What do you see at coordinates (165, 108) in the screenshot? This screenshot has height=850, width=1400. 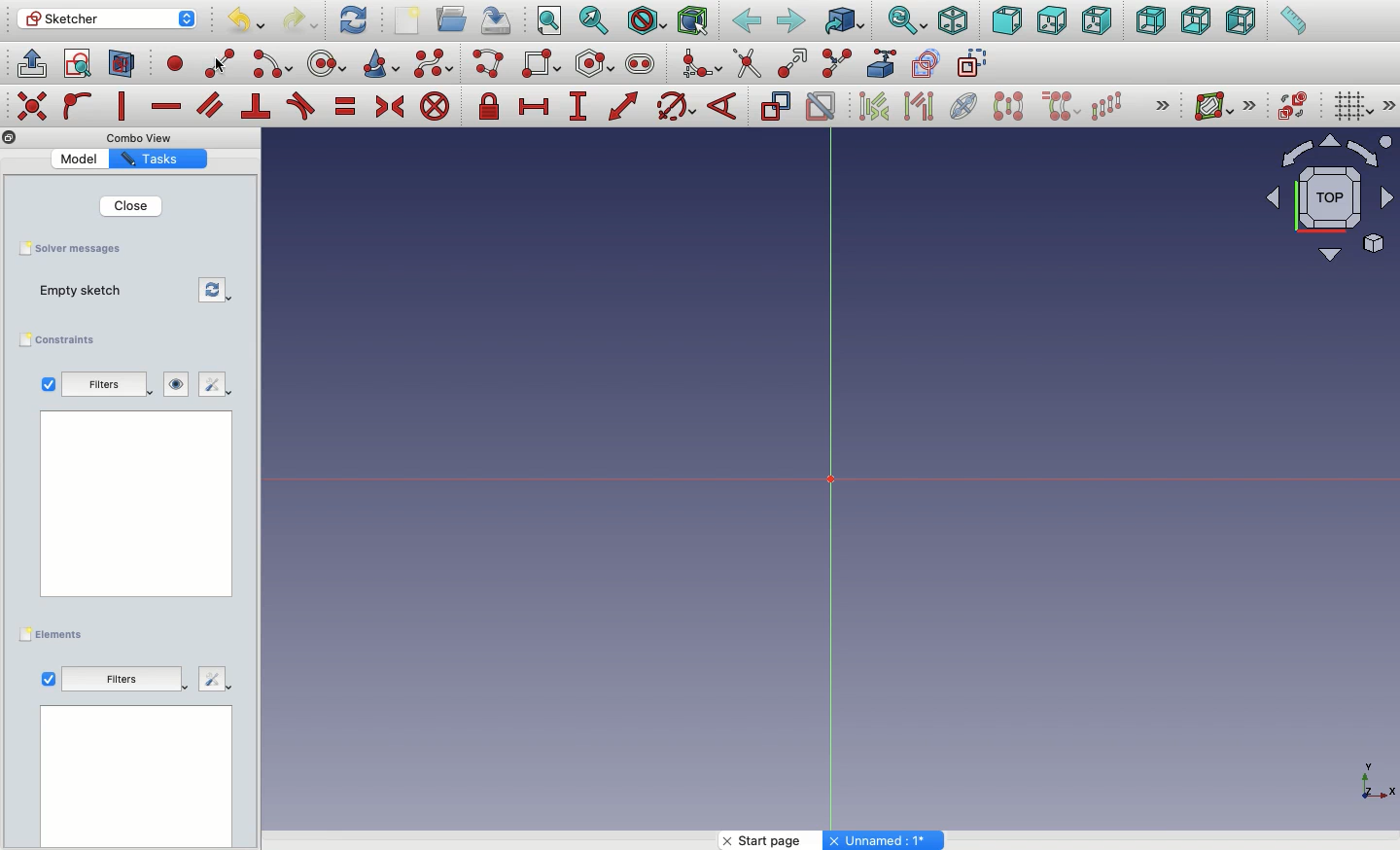 I see `Constrain horizontally` at bounding box center [165, 108].